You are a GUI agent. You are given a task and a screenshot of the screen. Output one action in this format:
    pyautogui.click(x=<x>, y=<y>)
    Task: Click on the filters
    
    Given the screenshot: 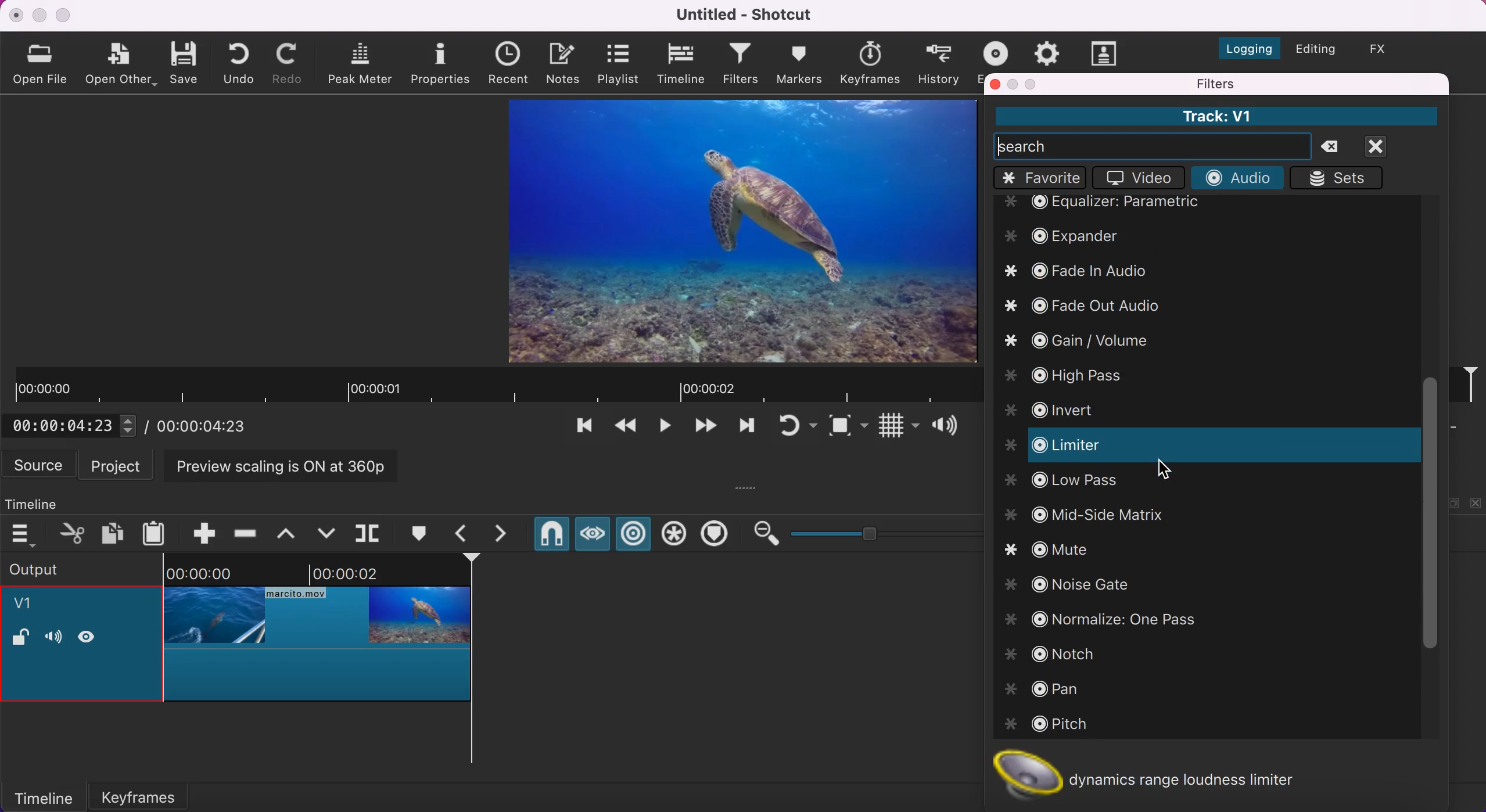 What is the action you would take?
    pyautogui.click(x=1274, y=84)
    